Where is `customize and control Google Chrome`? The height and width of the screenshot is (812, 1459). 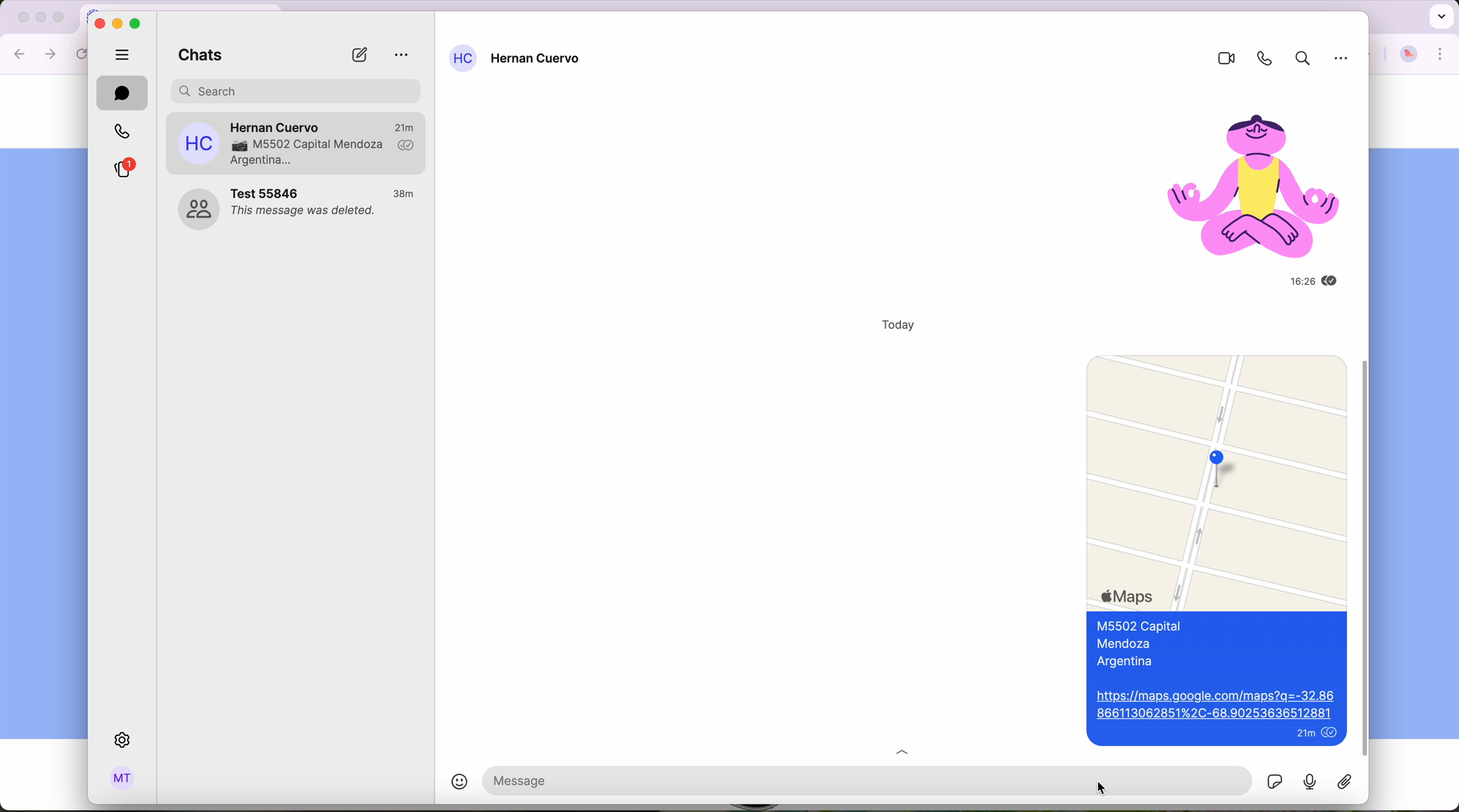
customize and control Google Chrome is located at coordinates (1441, 54).